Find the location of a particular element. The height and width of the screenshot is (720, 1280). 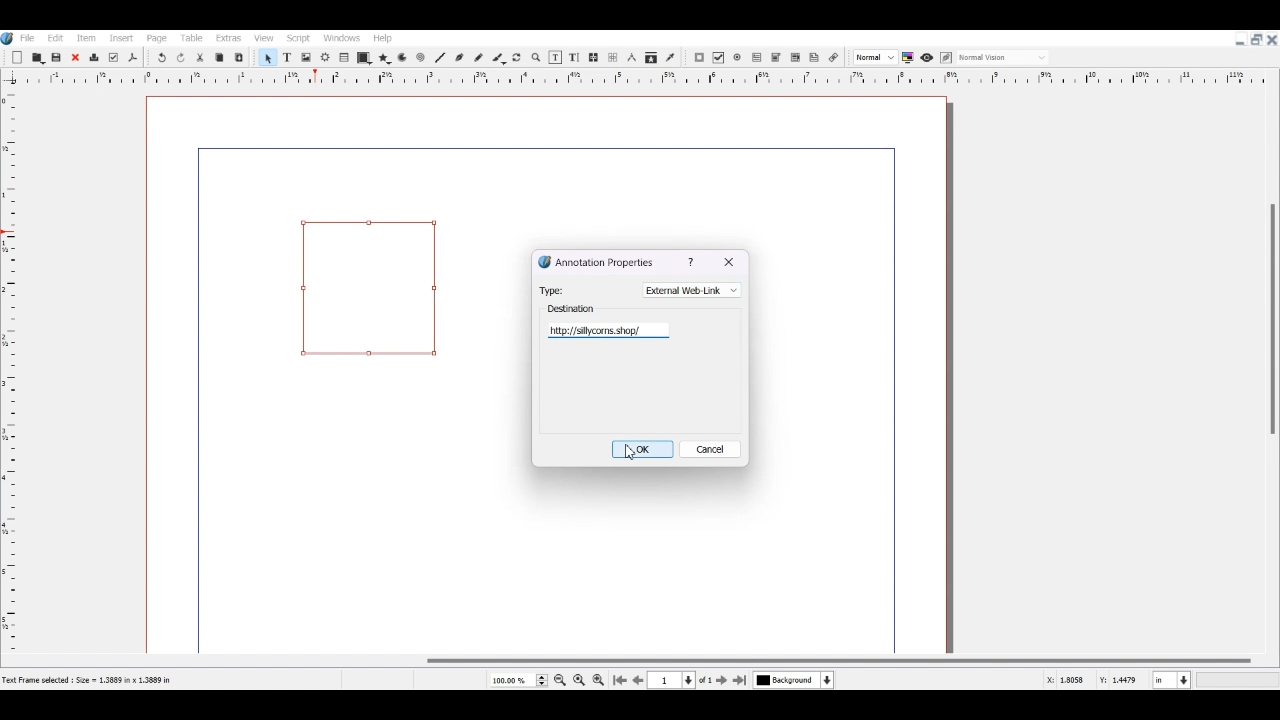

exit is located at coordinates (730, 263).